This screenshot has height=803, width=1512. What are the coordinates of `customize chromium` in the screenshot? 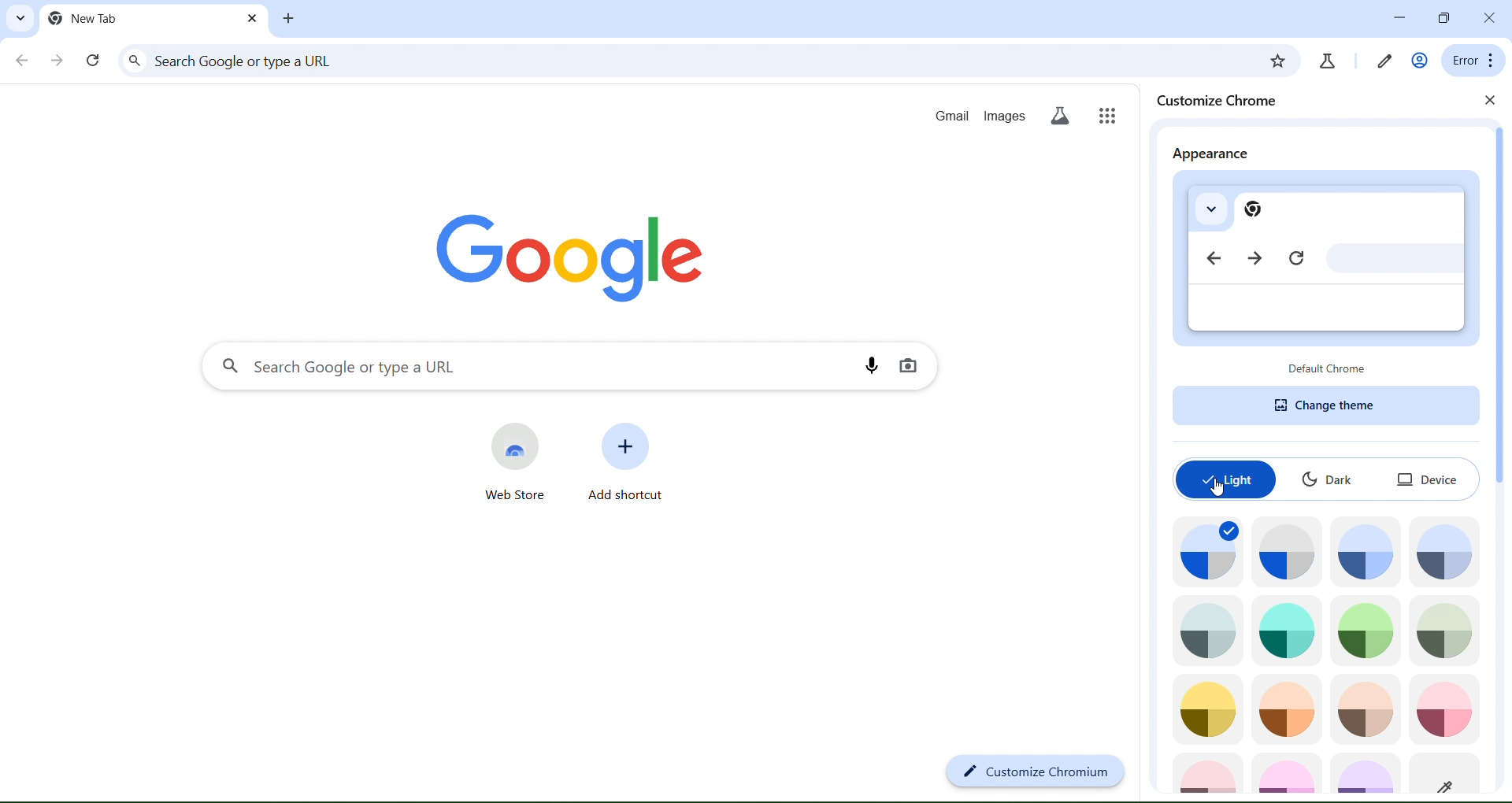 It's located at (1035, 772).